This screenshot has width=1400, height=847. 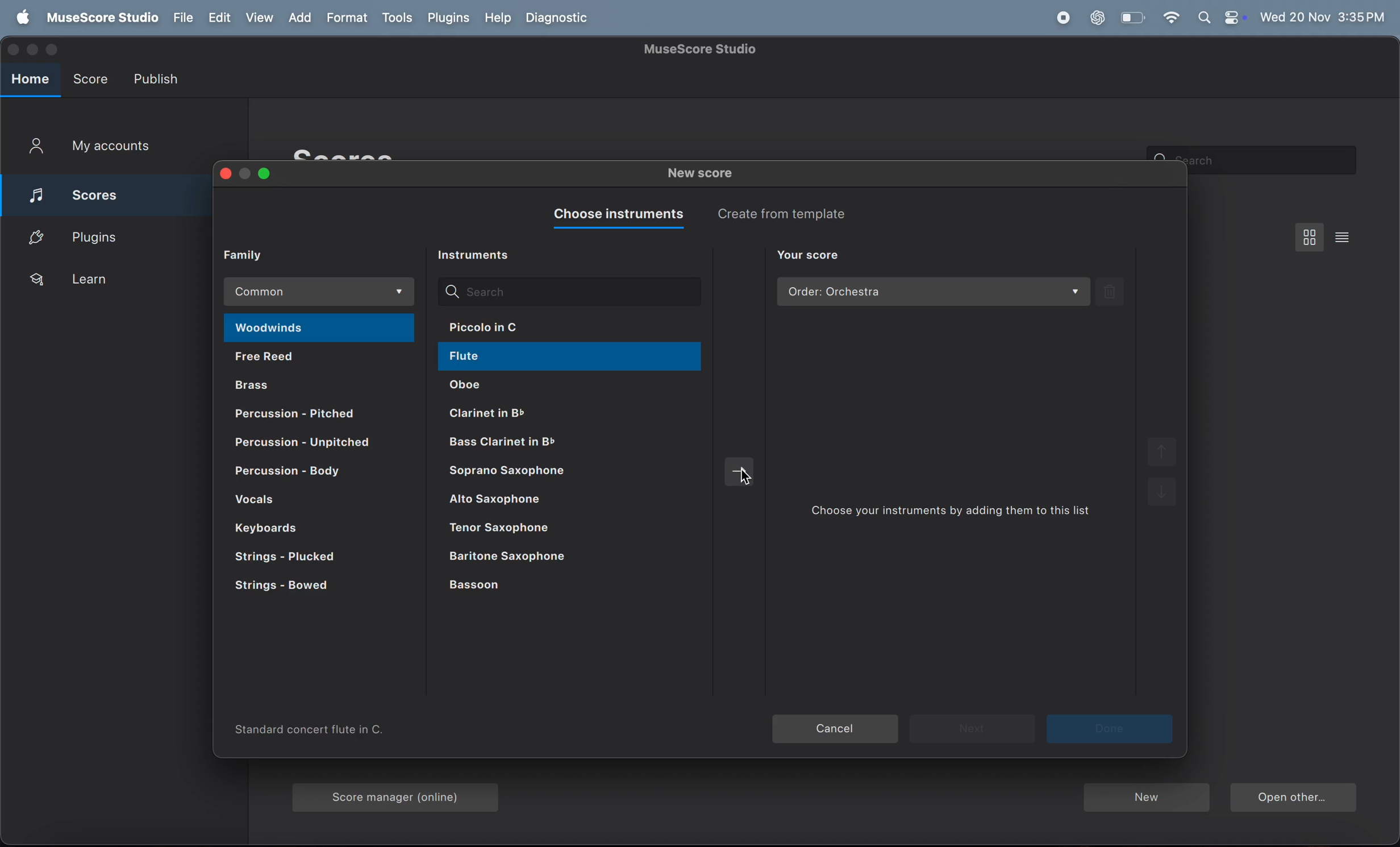 I want to click on My account, so click(x=90, y=148).